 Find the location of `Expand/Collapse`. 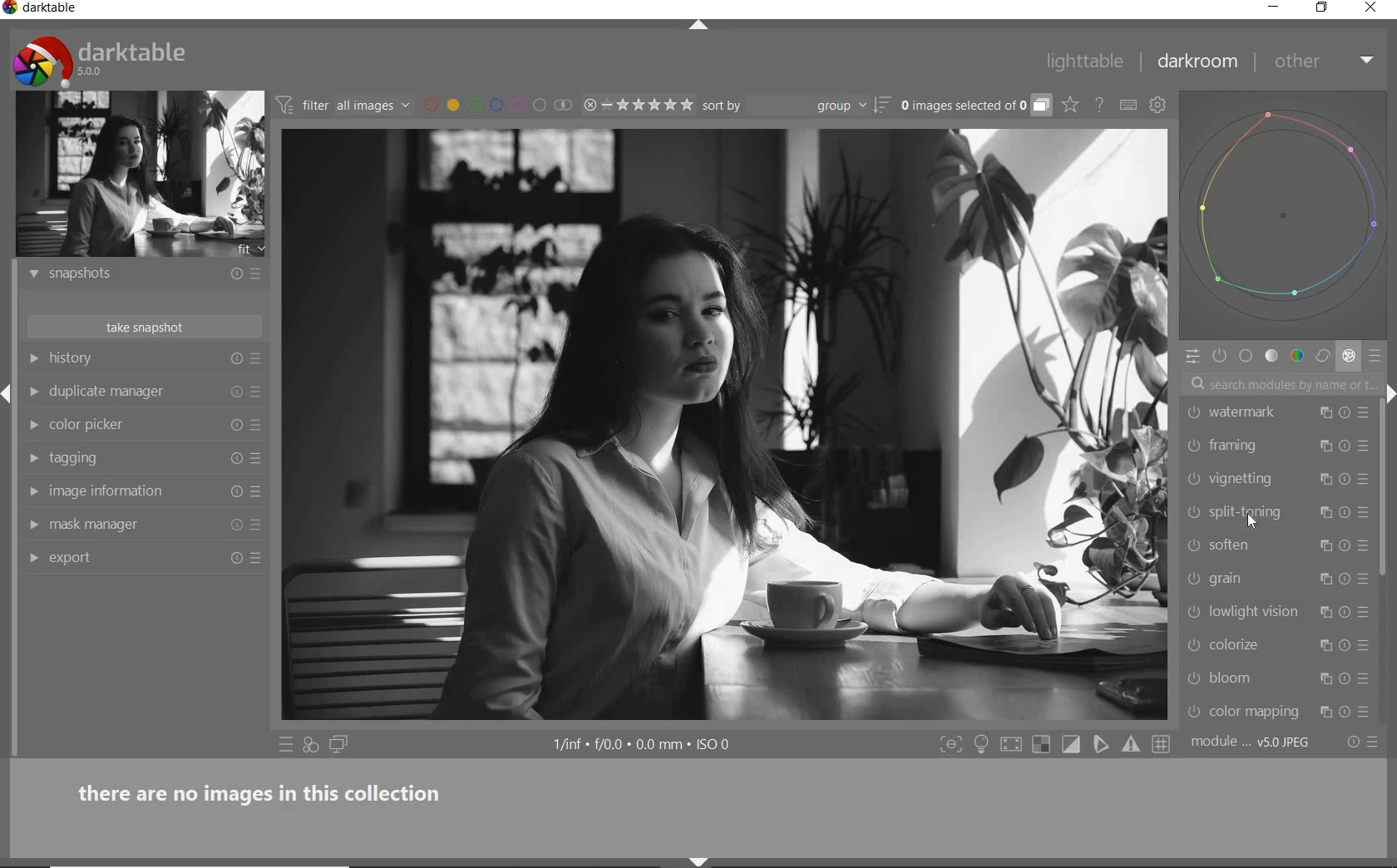

Expand/Collapse is located at coordinates (8, 389).